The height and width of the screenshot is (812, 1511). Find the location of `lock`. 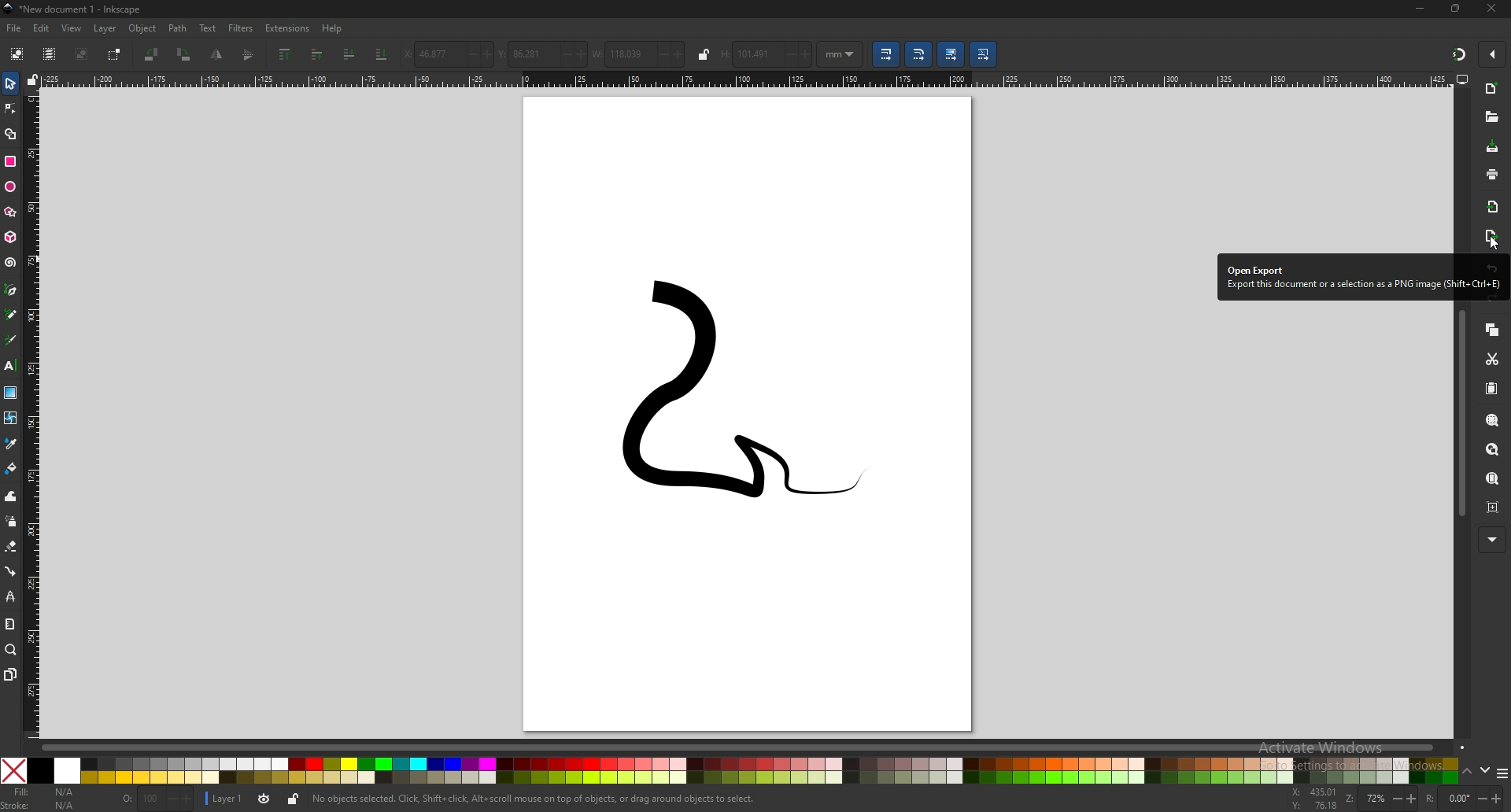

lock is located at coordinates (293, 799).